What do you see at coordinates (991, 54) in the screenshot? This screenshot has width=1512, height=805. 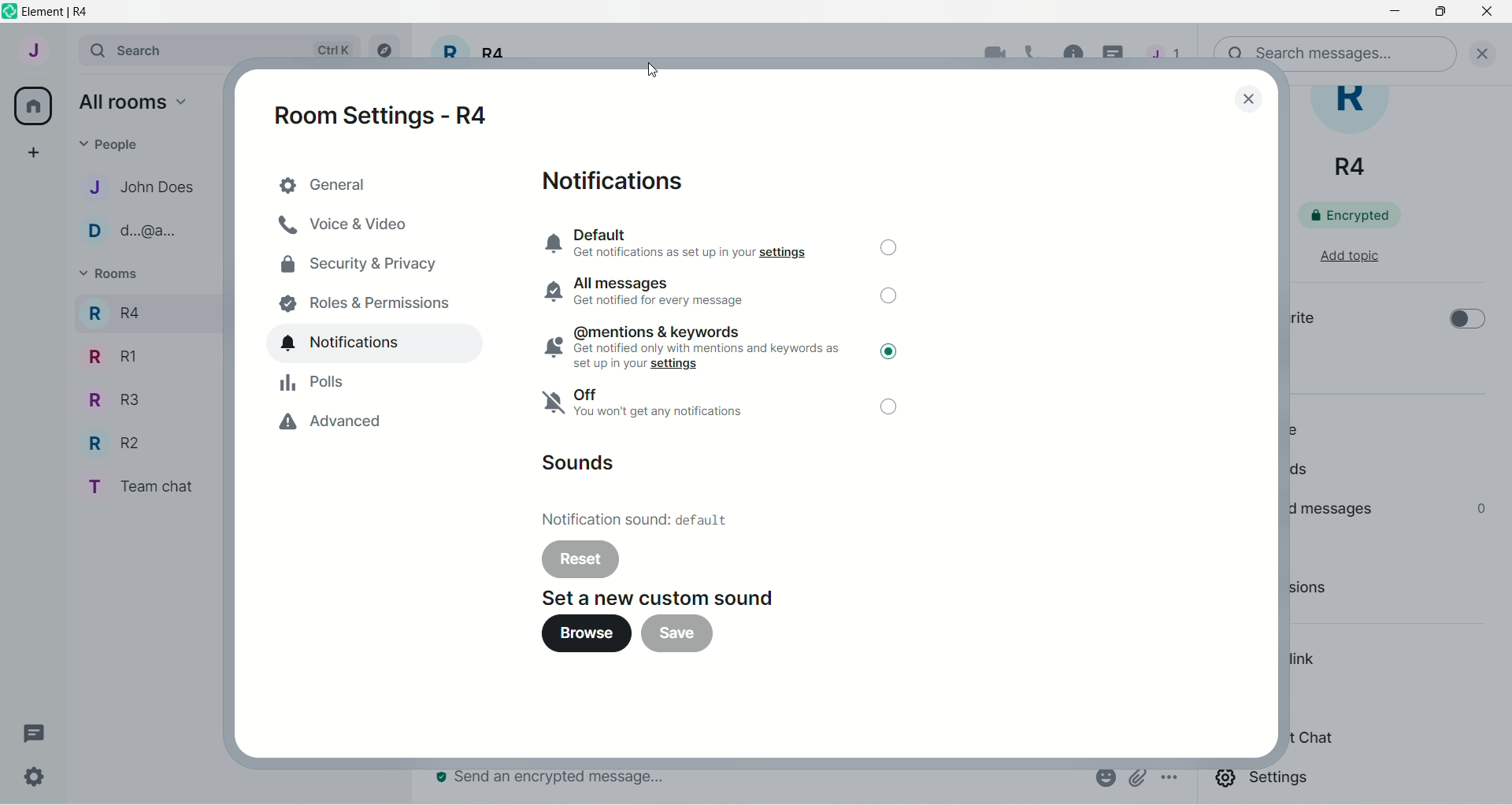 I see `video call` at bounding box center [991, 54].